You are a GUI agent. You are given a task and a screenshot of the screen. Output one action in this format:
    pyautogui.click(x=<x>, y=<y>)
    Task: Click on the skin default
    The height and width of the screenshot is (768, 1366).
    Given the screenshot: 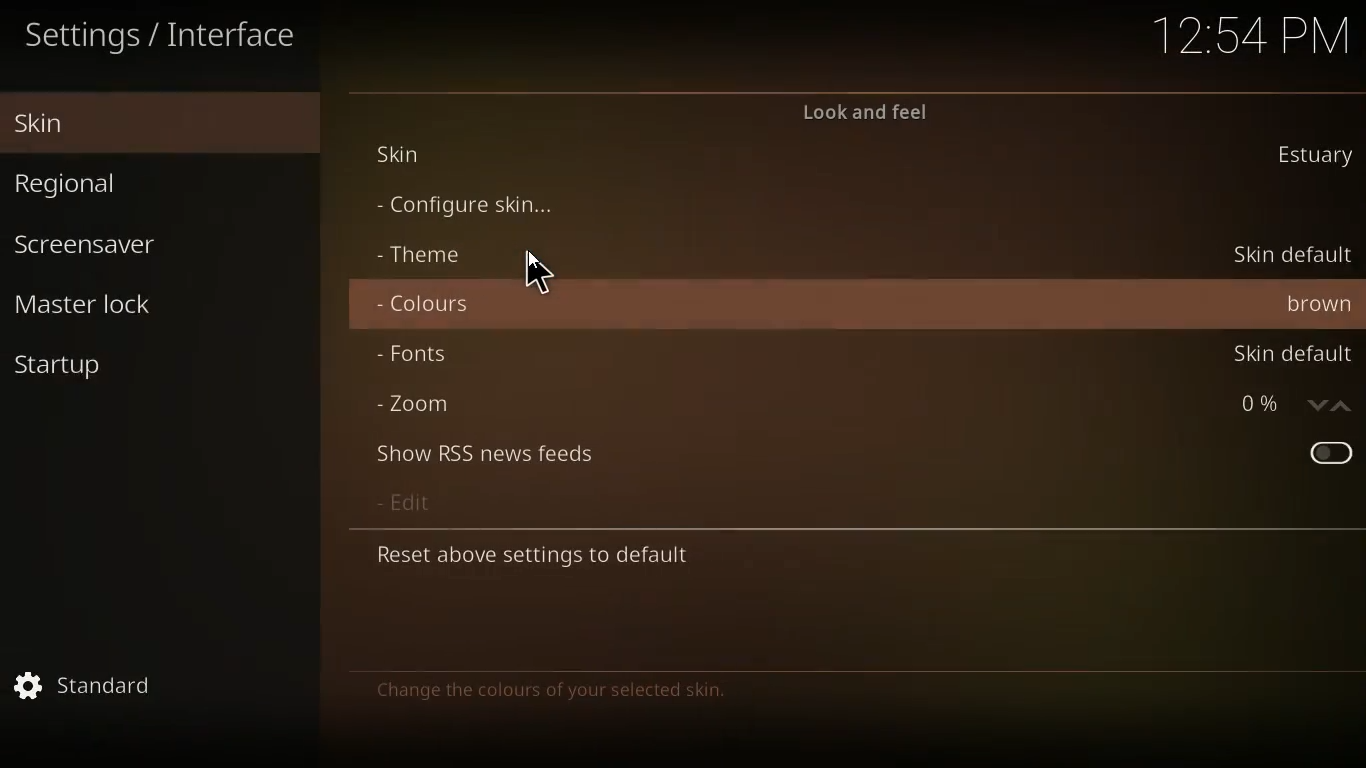 What is the action you would take?
    pyautogui.click(x=1289, y=256)
    